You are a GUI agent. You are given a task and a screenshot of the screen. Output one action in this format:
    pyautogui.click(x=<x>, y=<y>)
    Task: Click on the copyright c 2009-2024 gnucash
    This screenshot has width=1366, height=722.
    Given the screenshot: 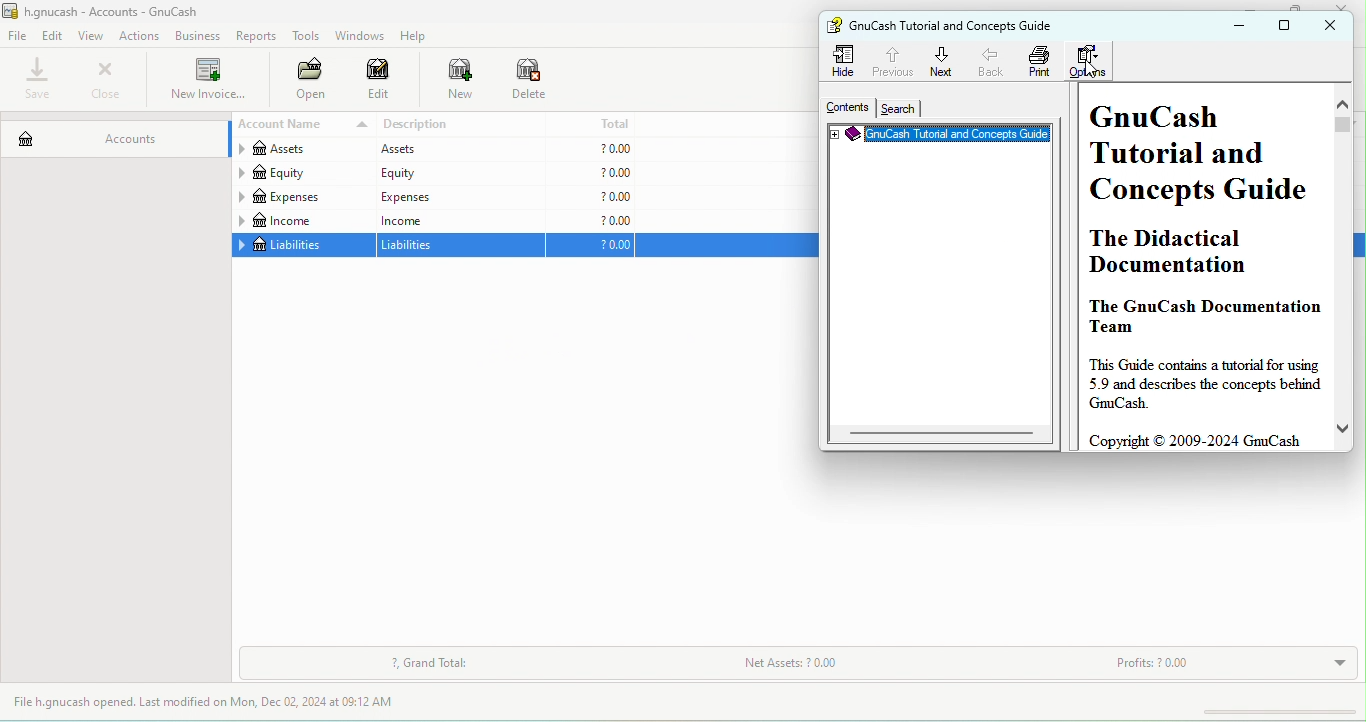 What is the action you would take?
    pyautogui.click(x=1200, y=441)
    